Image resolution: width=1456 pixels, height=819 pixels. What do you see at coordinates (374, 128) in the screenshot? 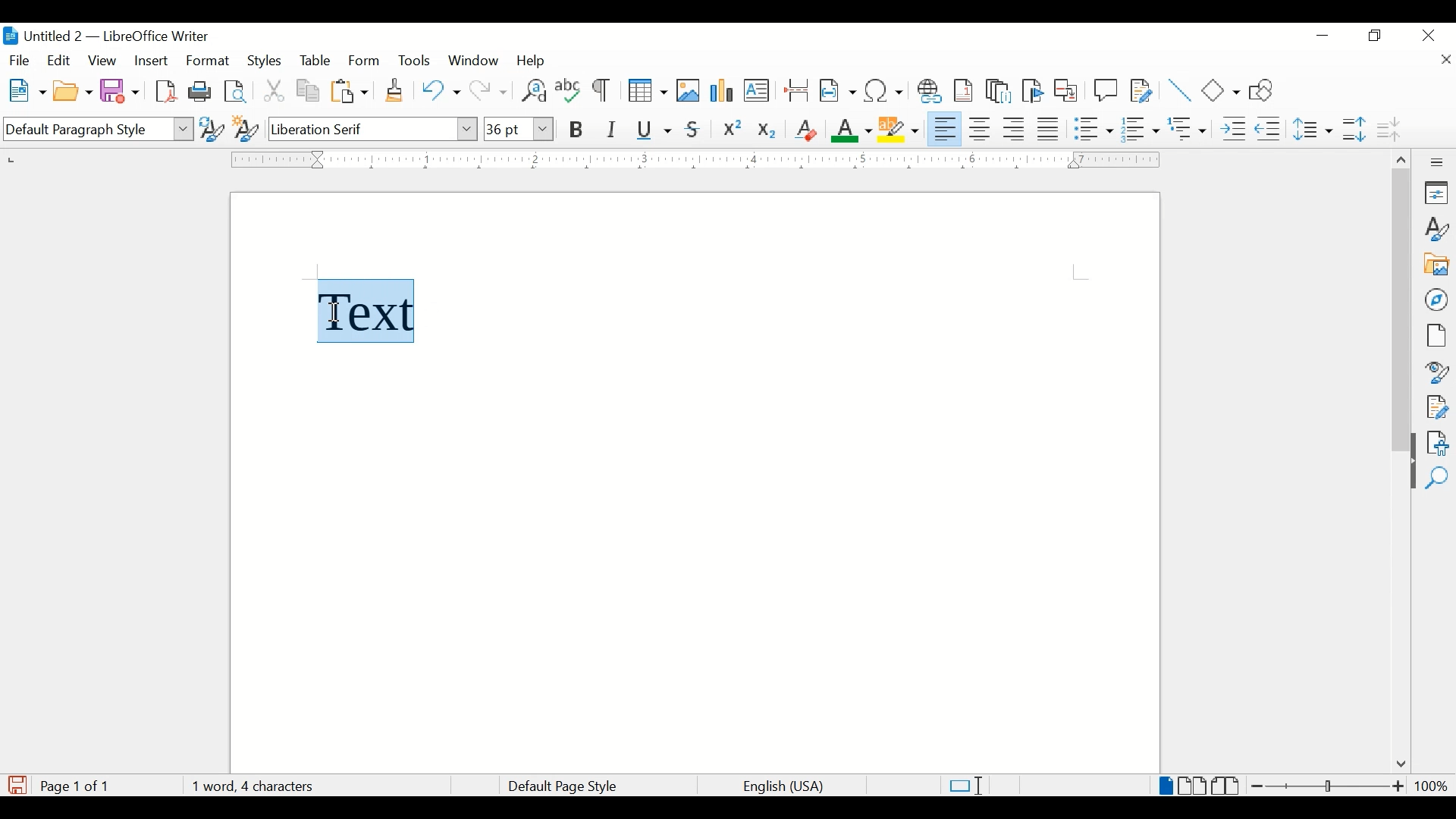
I see `font name` at bounding box center [374, 128].